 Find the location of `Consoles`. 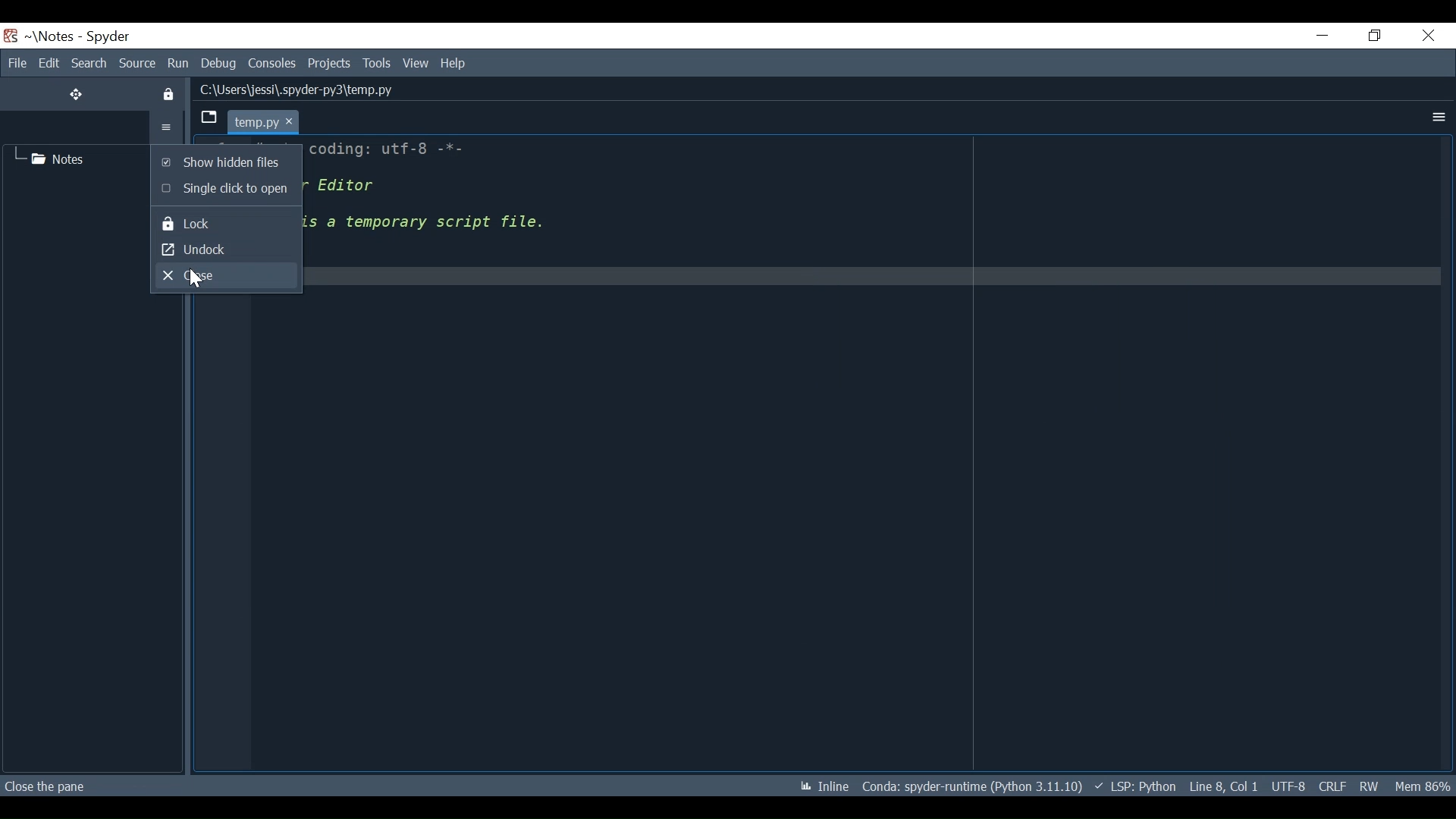

Consoles is located at coordinates (272, 64).